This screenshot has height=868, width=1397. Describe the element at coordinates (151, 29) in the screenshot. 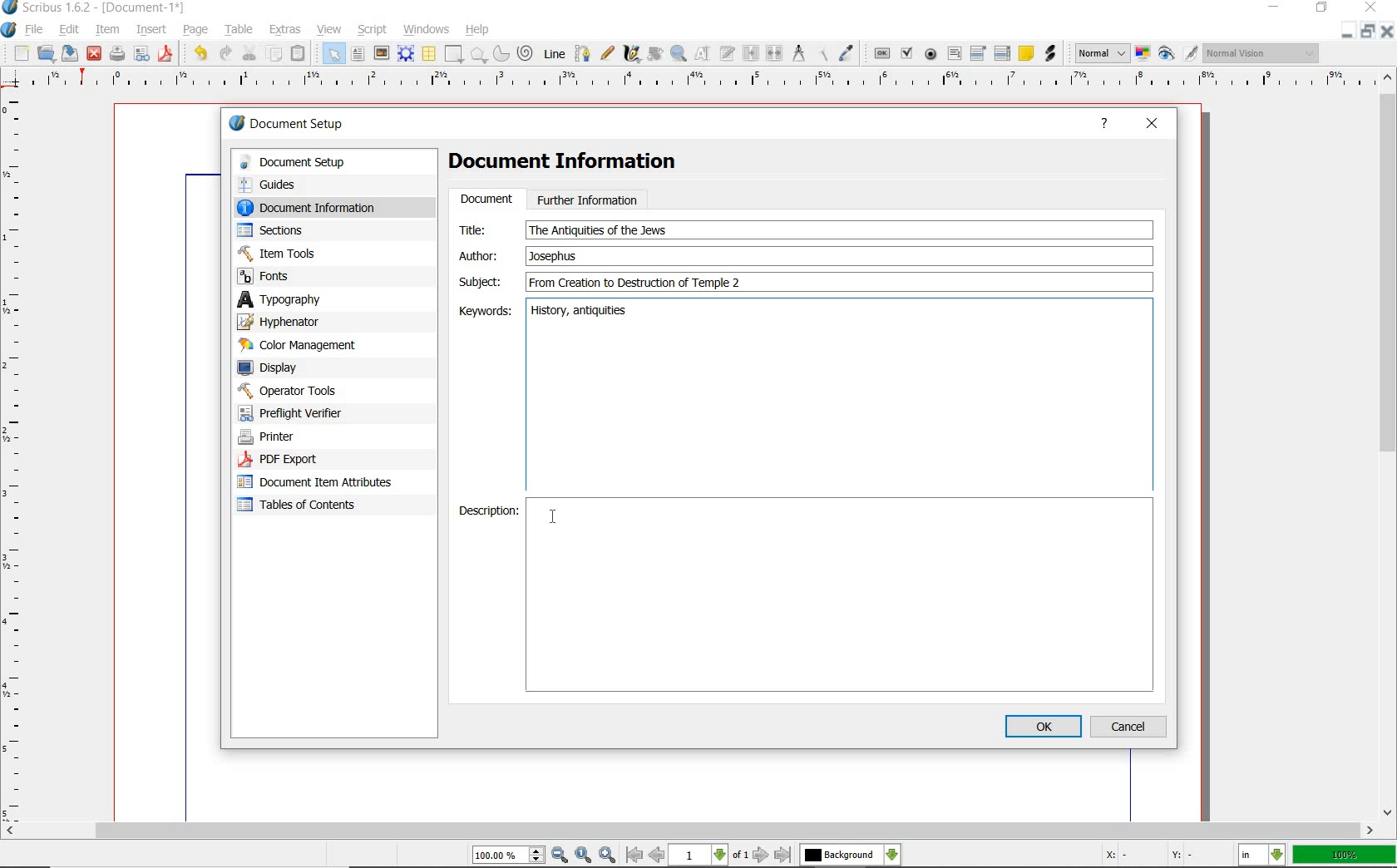

I see `insert` at that location.